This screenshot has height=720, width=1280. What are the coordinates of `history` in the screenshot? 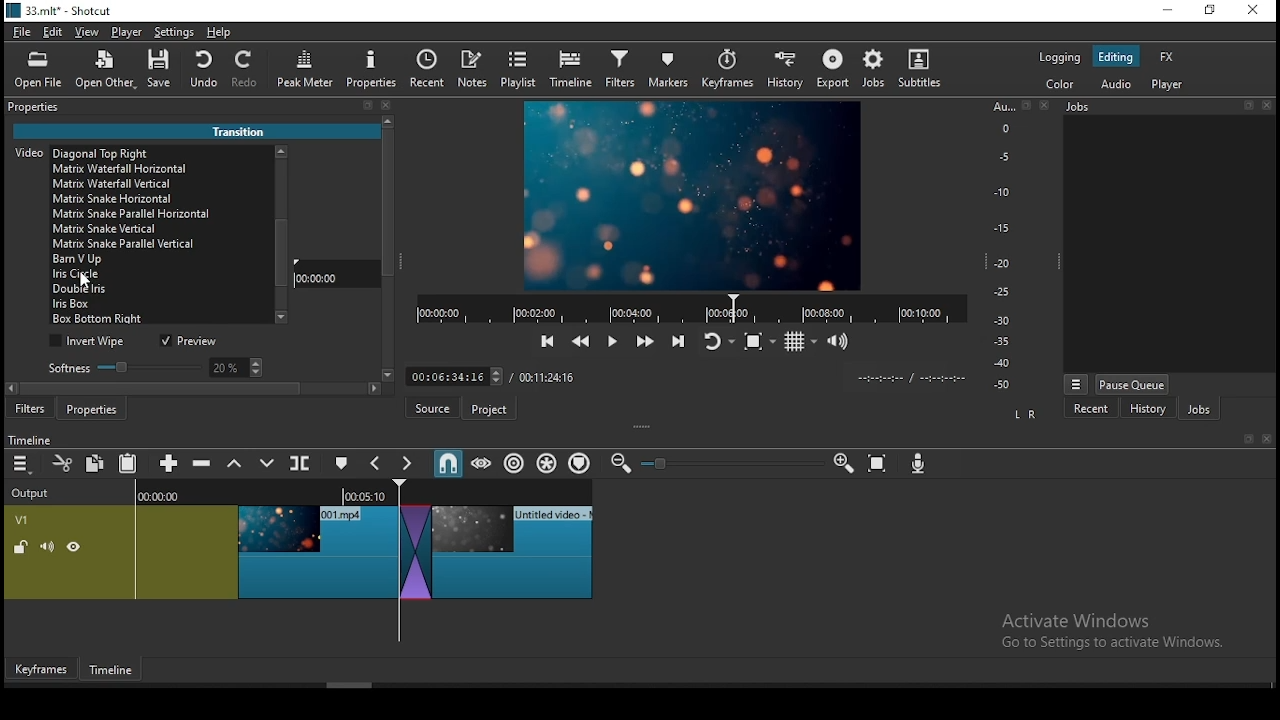 It's located at (782, 71).